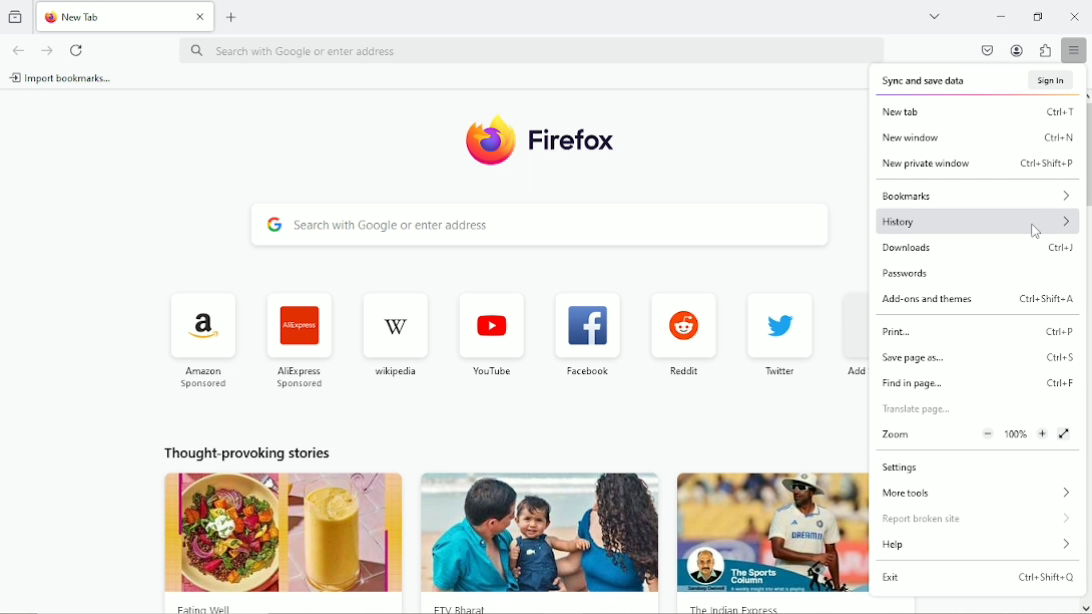 This screenshot has width=1092, height=614. Describe the element at coordinates (393, 372) in the screenshot. I see `wikipedia` at that location.